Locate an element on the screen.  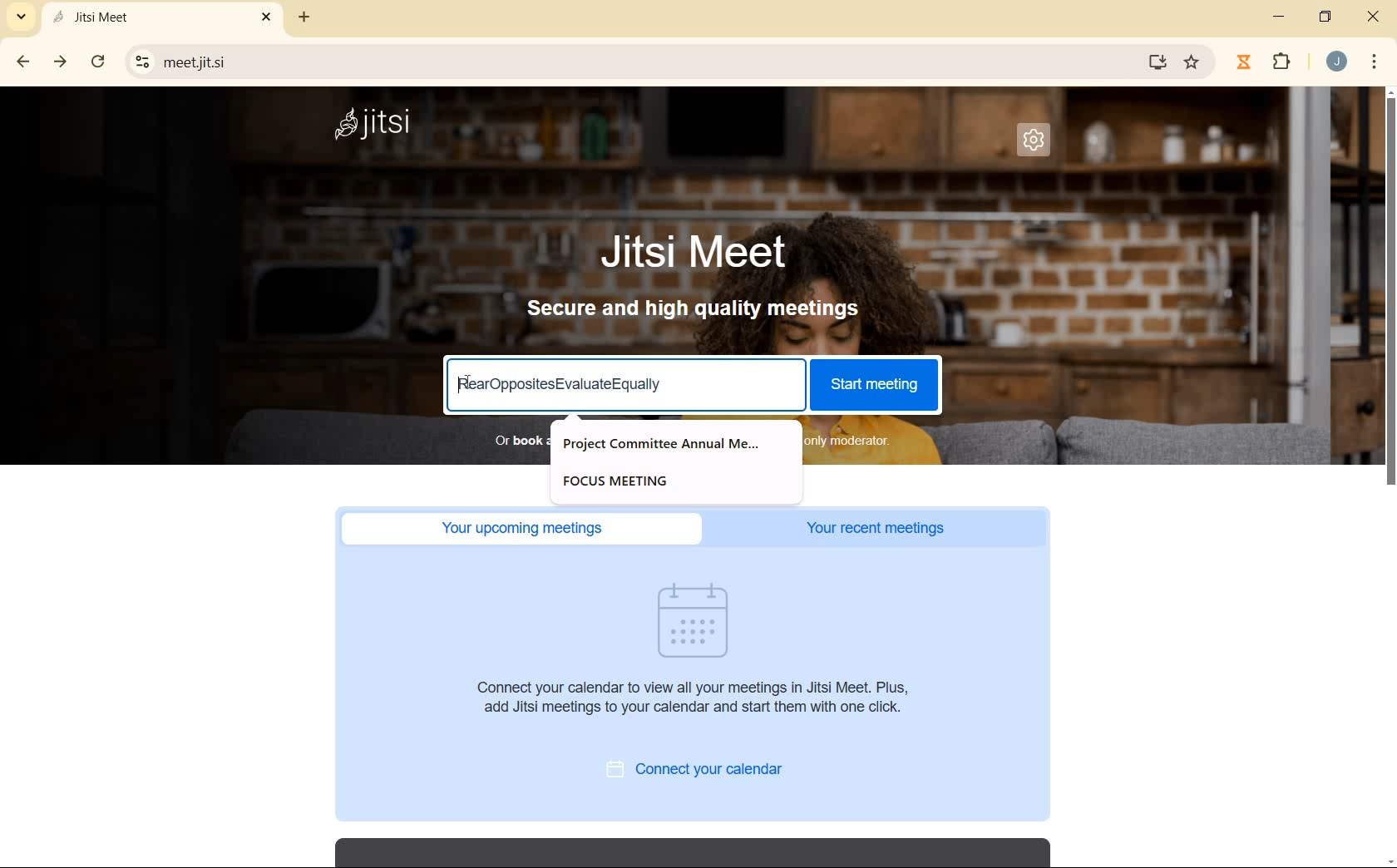
SEARCH TABS is located at coordinates (18, 17).